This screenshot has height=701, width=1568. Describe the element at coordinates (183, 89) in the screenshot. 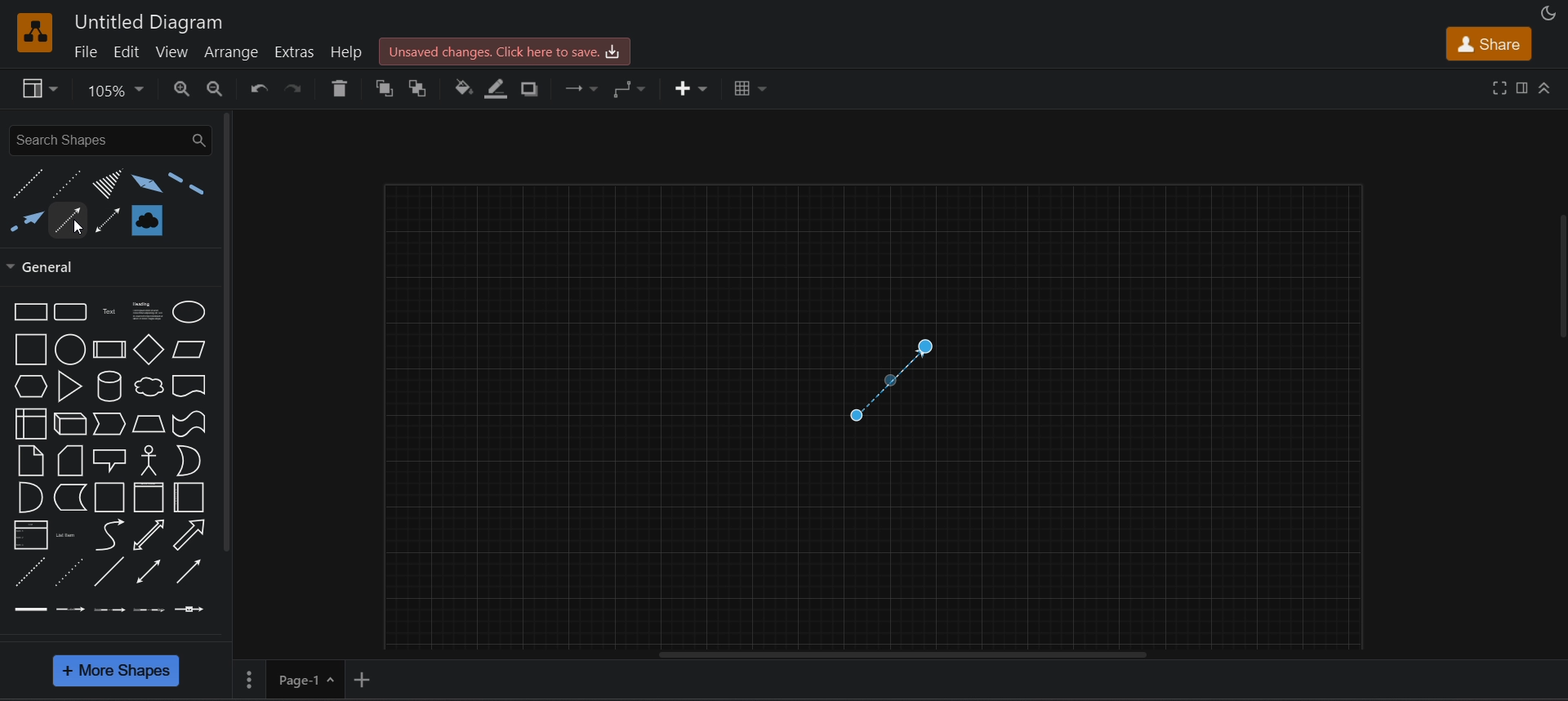

I see `zoom in` at that location.